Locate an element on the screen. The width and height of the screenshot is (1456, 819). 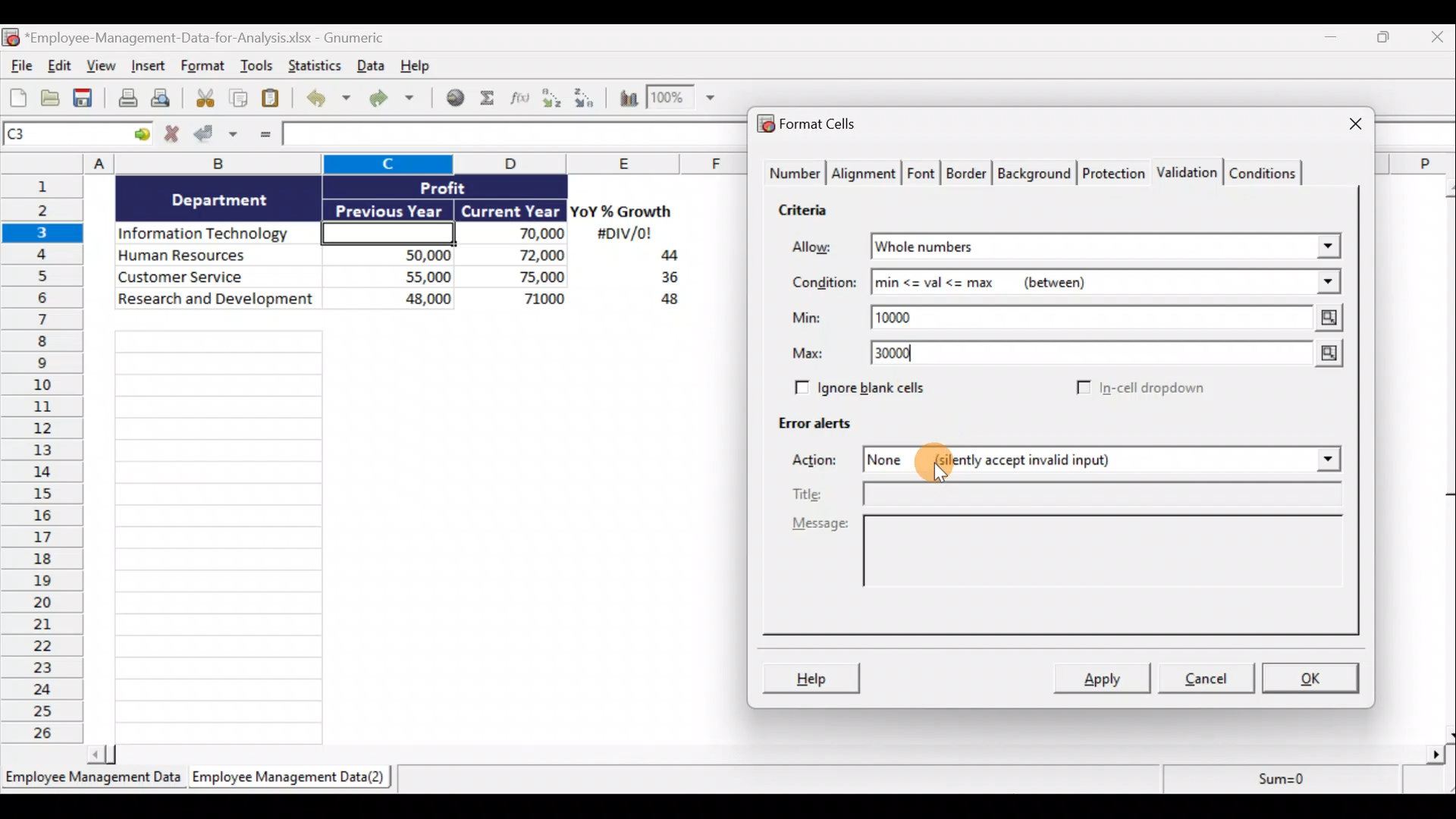
Max value is located at coordinates (1320, 355).